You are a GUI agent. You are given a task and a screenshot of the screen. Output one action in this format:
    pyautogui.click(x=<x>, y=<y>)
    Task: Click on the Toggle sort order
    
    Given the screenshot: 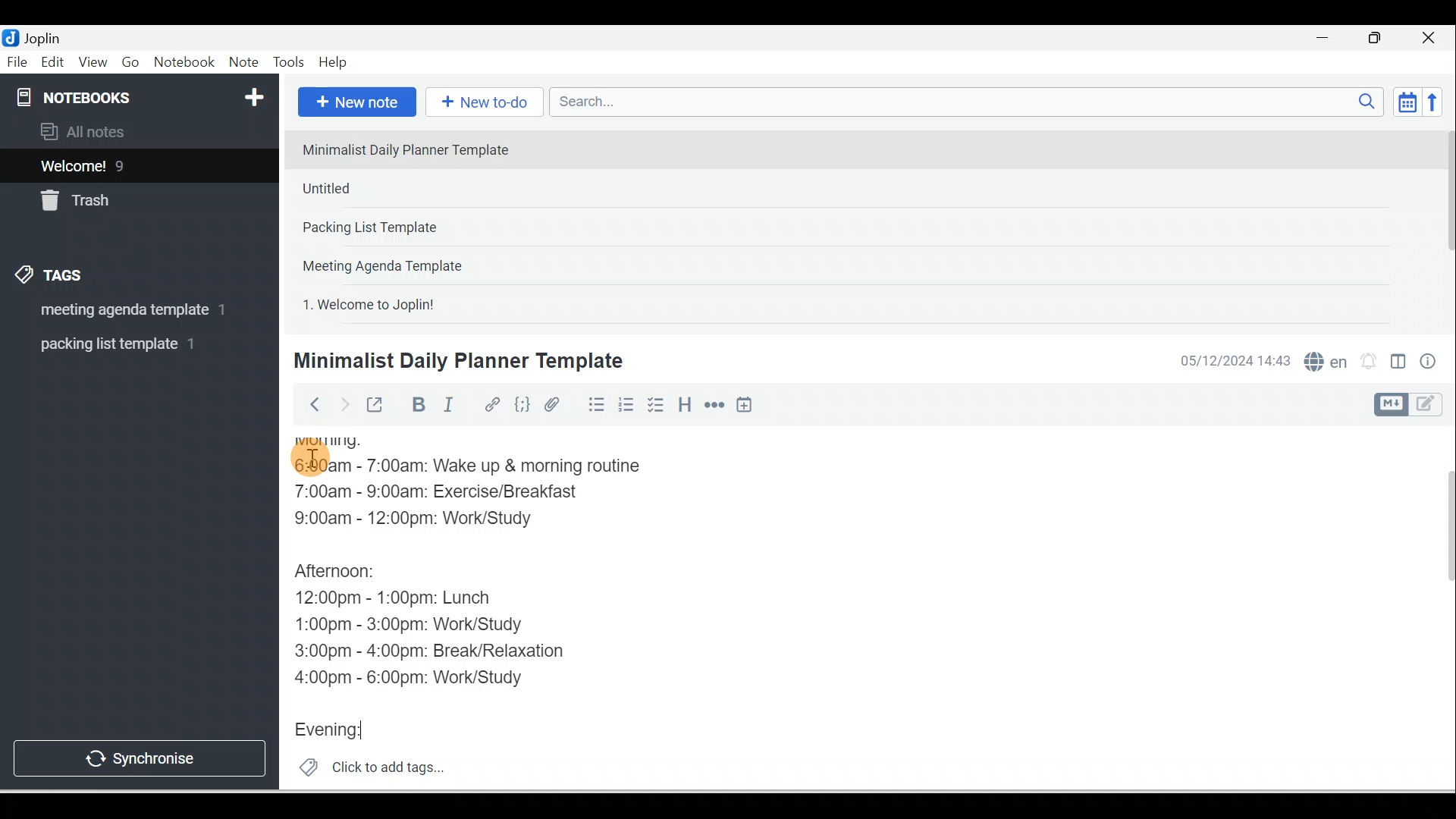 What is the action you would take?
    pyautogui.click(x=1407, y=101)
    